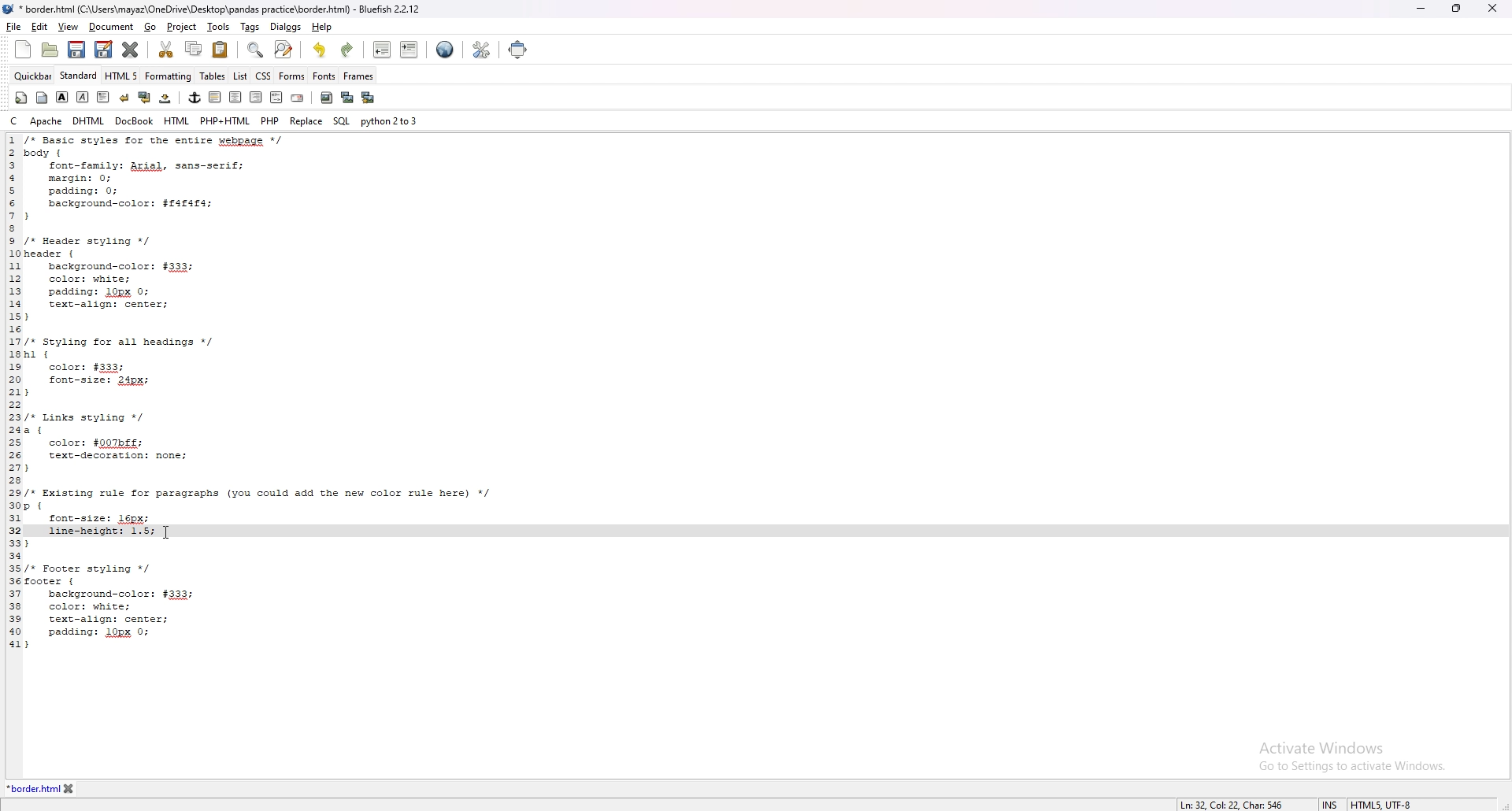 This screenshot has height=811, width=1512. What do you see at coordinates (446, 49) in the screenshot?
I see `preview in web` at bounding box center [446, 49].